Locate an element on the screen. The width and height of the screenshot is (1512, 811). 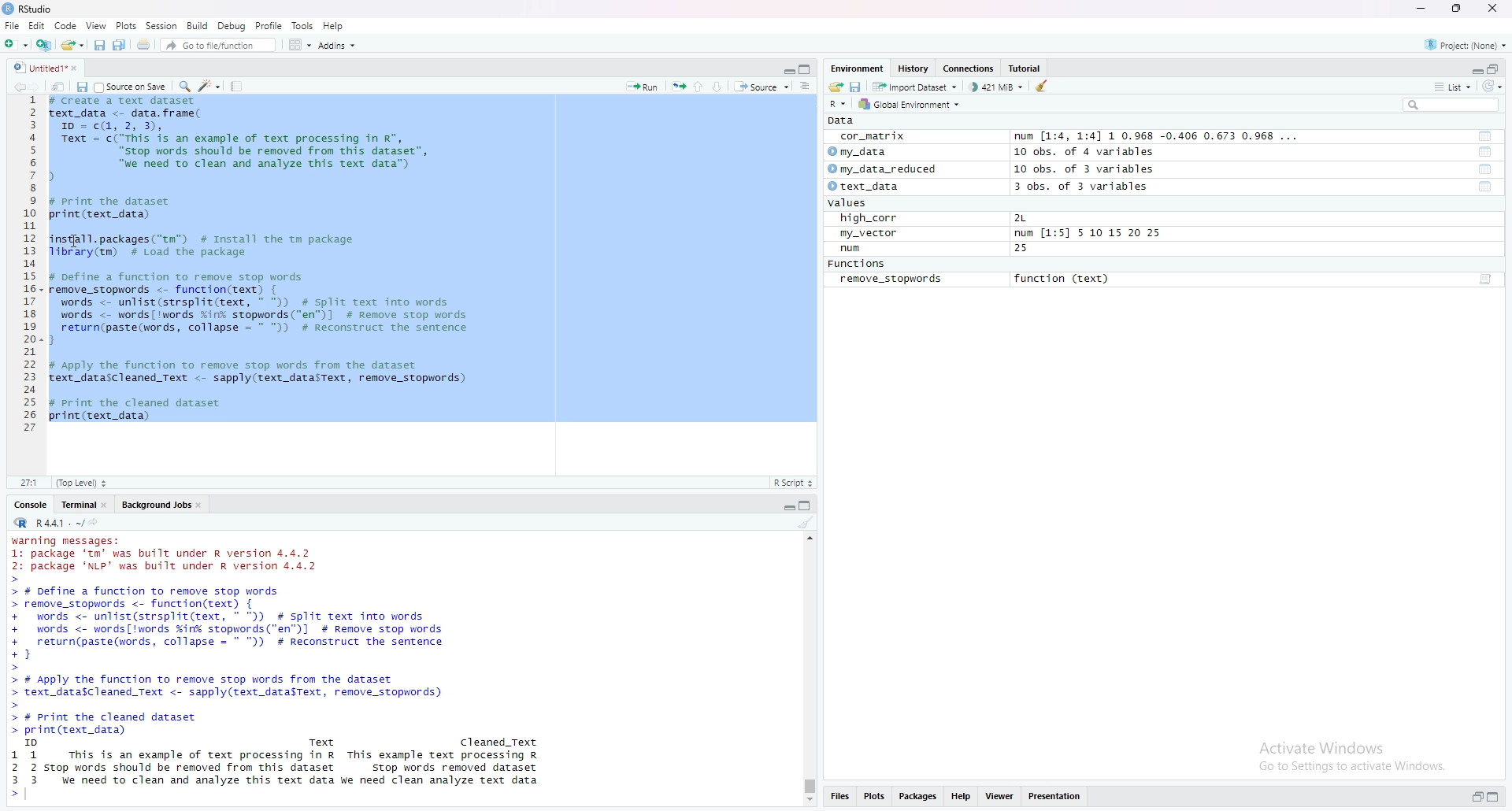
R is located at coordinates (838, 104).